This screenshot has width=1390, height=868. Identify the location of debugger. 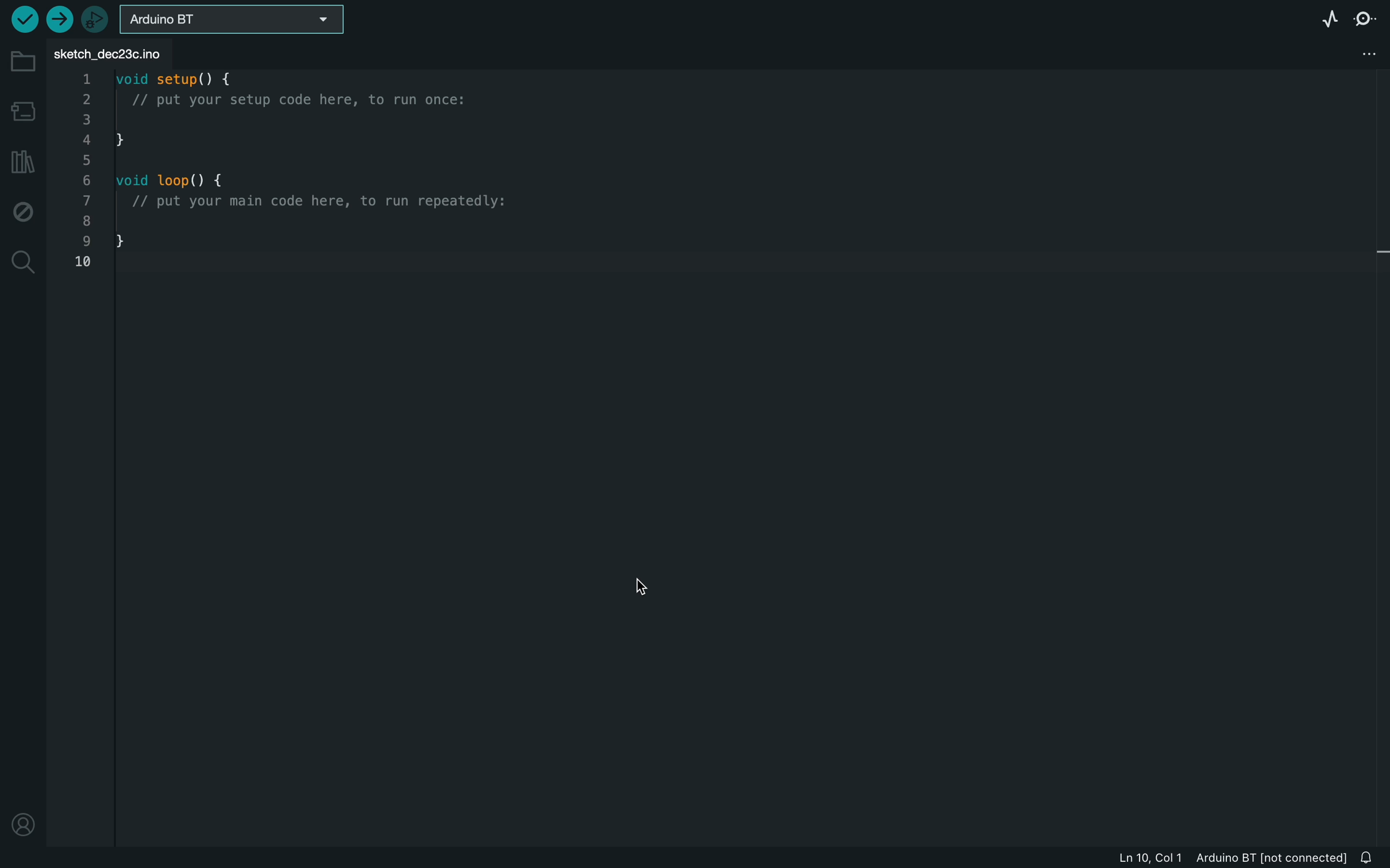
(96, 19).